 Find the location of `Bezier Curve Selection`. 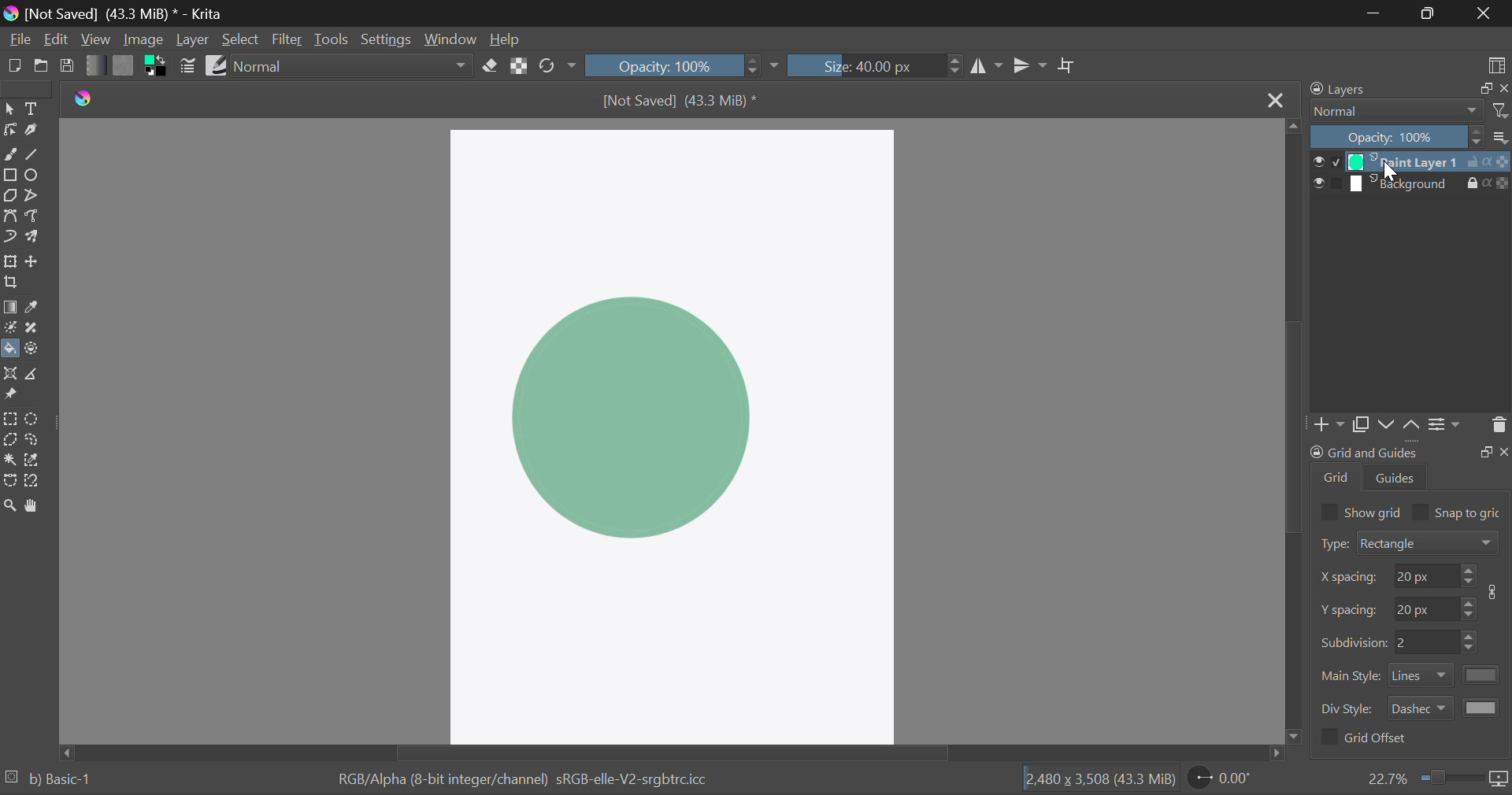

Bezier Curve Selection is located at coordinates (9, 482).